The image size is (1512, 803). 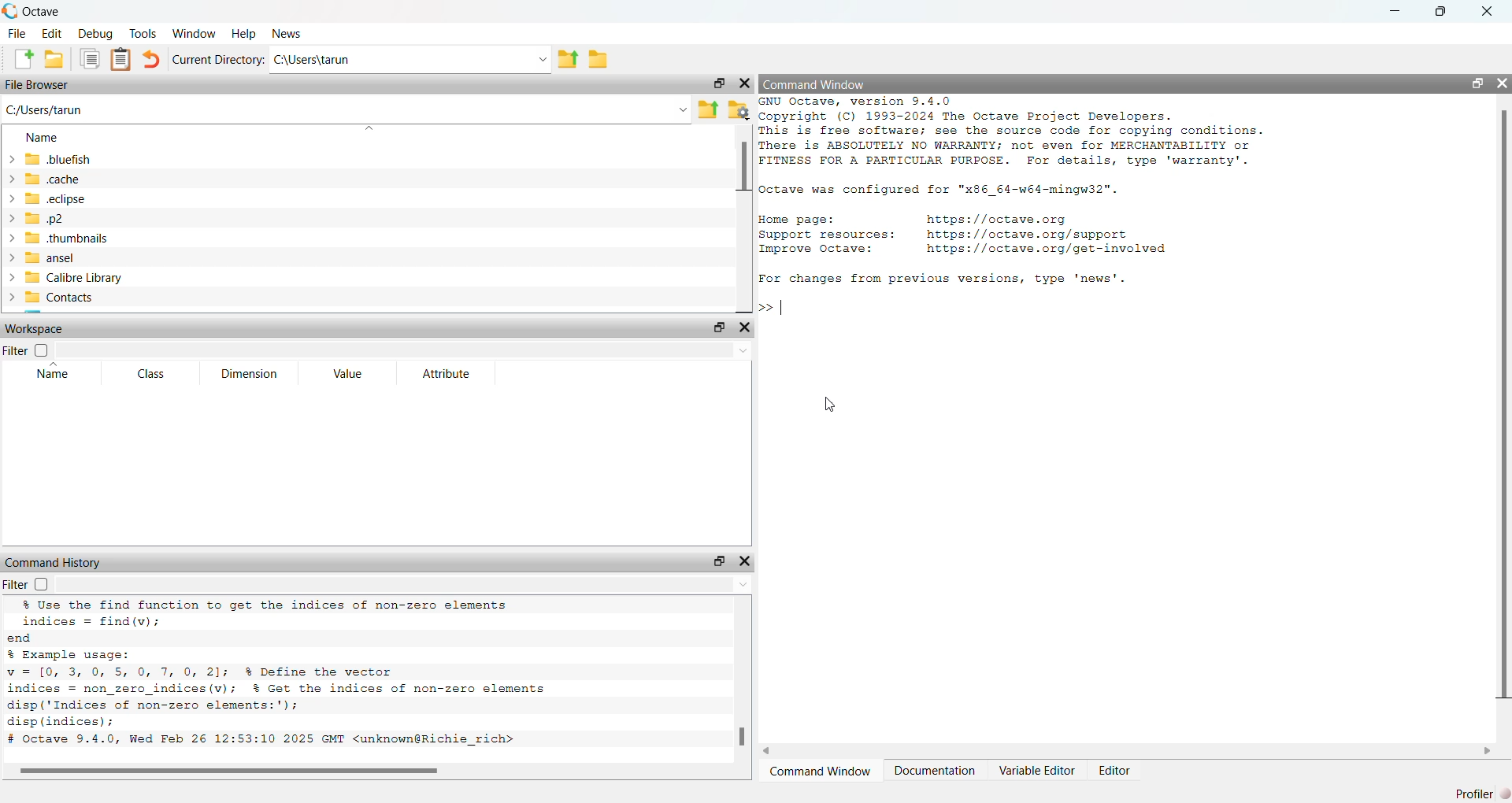 What do you see at coordinates (1036, 194) in the screenshot?
I see `GNU Octave, version 9.4.0

Copyright (C) 1993-2024 The Octave Project Developers.

This is free software; see the source code for copying conditions.
There is ABSOLUTELY NO WARRANTY; not even for MERCHANTABILITY or
FITNESS FOR A PARTICULAR PURPOSE. For details, type 'warranty'.
Octave was configured for "x86_64-w64-mingw32".

Home page: https://octave.org

Support resources: https: //octave.org/support

Improve Octave: https://octave.org/get-involved

For changes from previous versions, type 'news'.` at bounding box center [1036, 194].